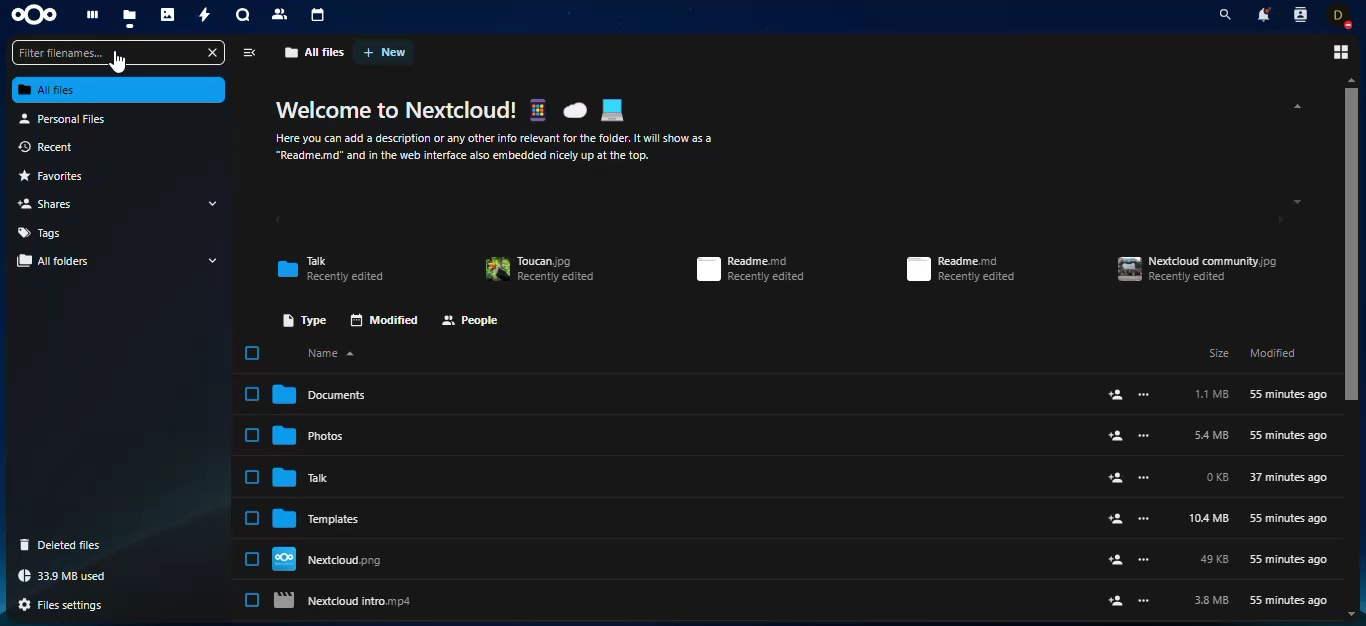  What do you see at coordinates (44, 232) in the screenshot?
I see `tags` at bounding box center [44, 232].